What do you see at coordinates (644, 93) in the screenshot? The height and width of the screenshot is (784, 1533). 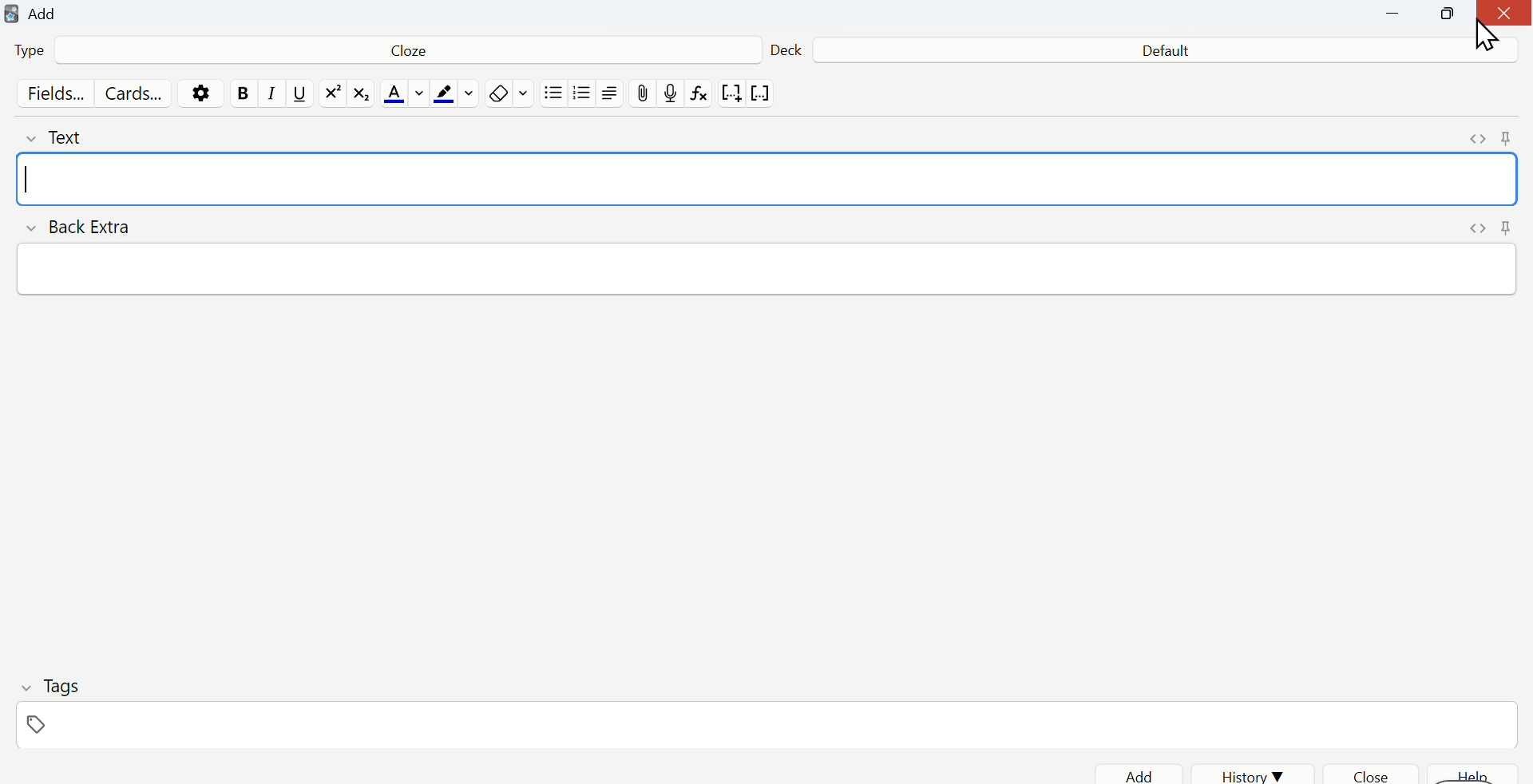 I see `Attach` at bounding box center [644, 93].